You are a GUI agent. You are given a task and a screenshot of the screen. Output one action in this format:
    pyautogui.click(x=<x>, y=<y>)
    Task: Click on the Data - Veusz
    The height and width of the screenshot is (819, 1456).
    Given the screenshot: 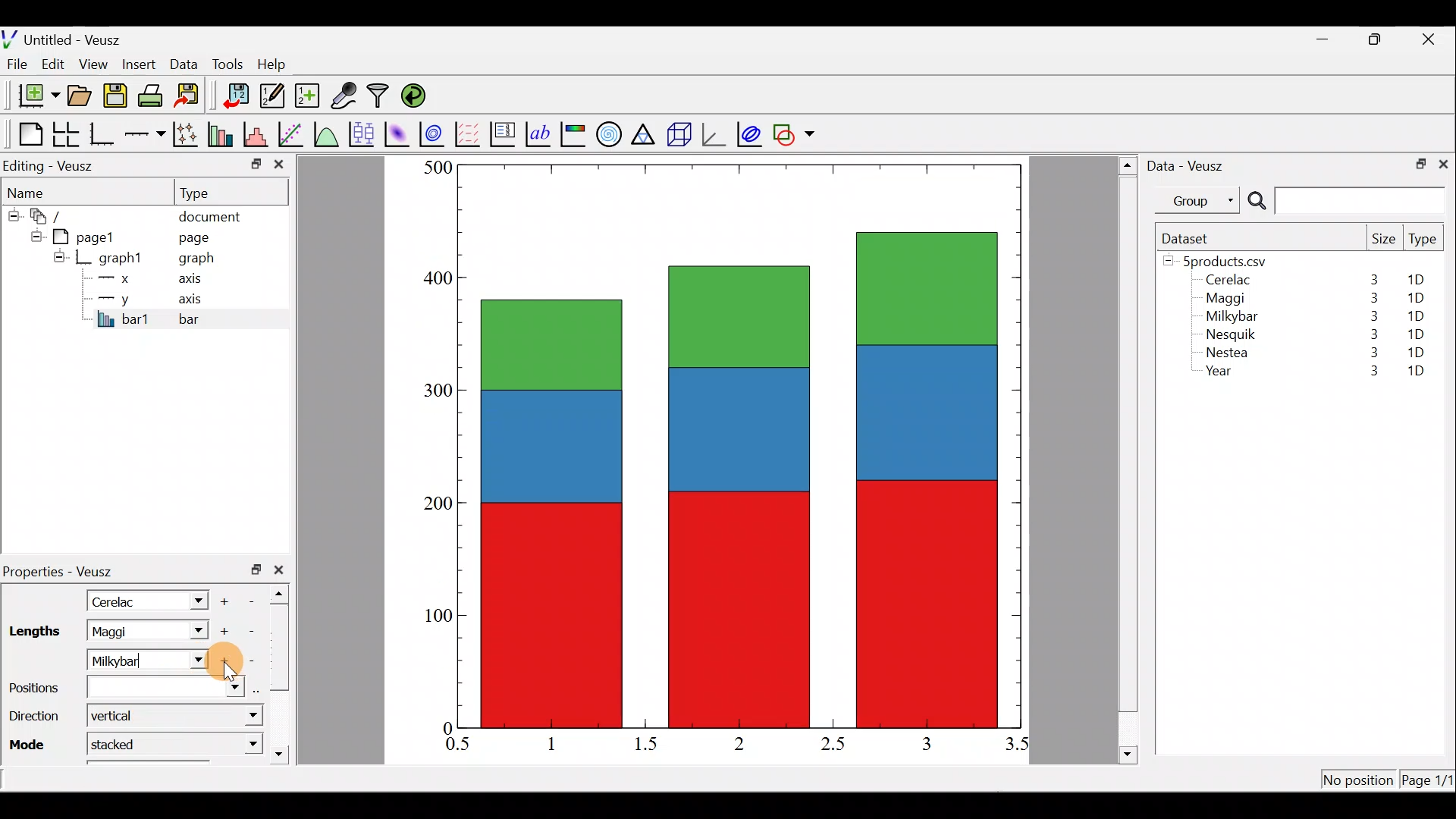 What is the action you would take?
    pyautogui.click(x=1189, y=164)
    